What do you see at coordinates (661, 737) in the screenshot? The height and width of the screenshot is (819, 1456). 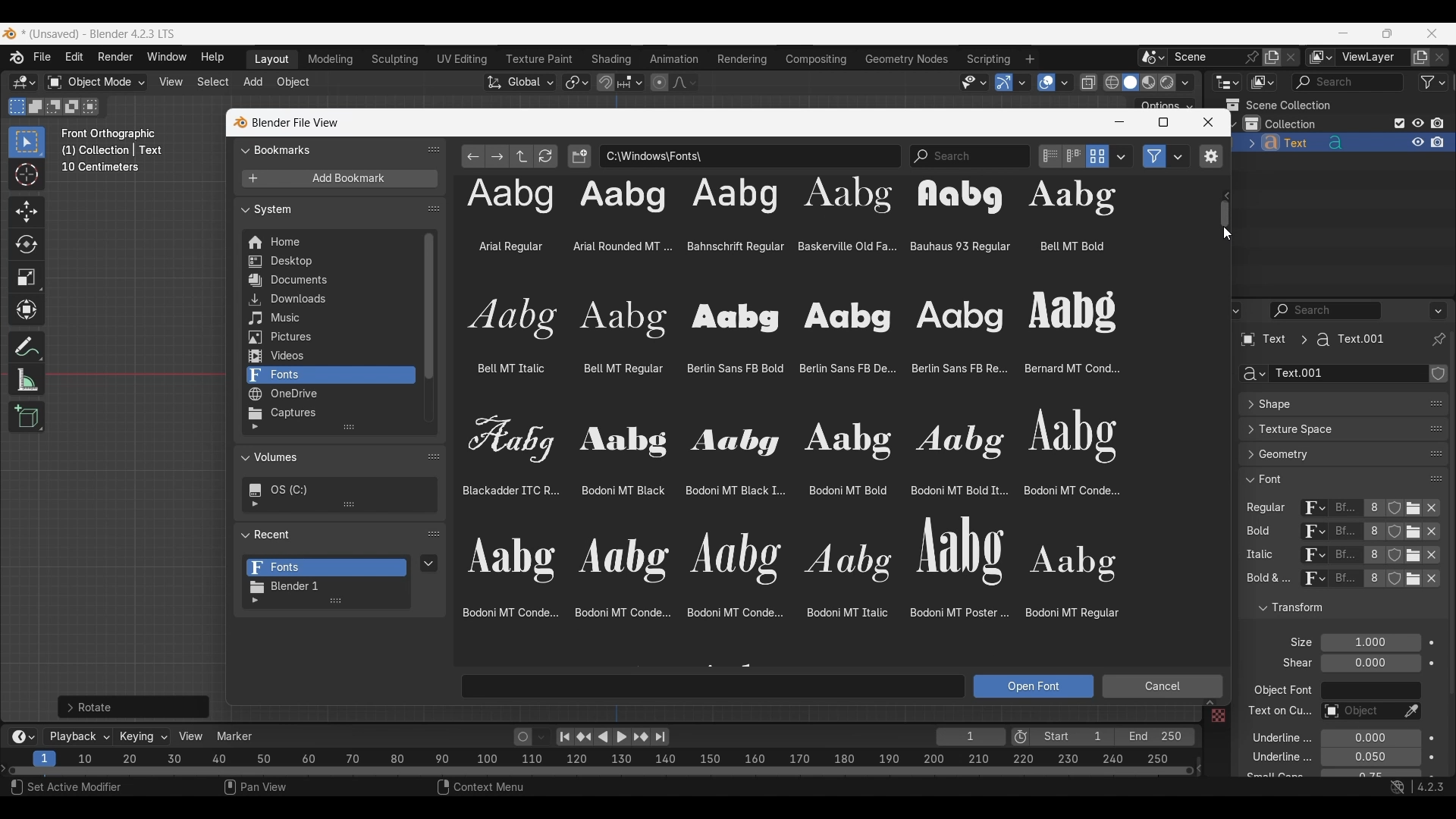 I see `Jump to end point` at bounding box center [661, 737].